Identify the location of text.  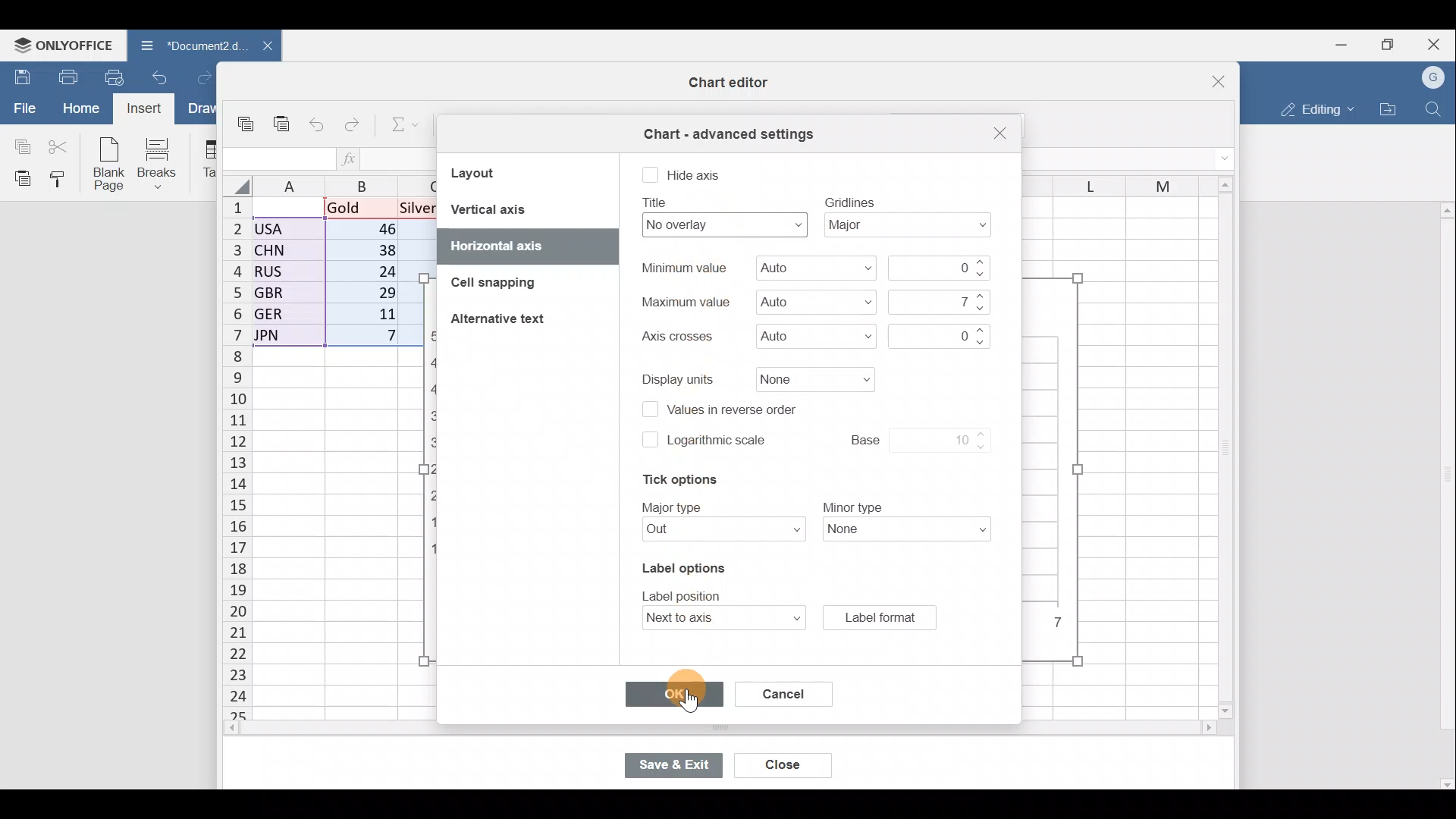
(683, 268).